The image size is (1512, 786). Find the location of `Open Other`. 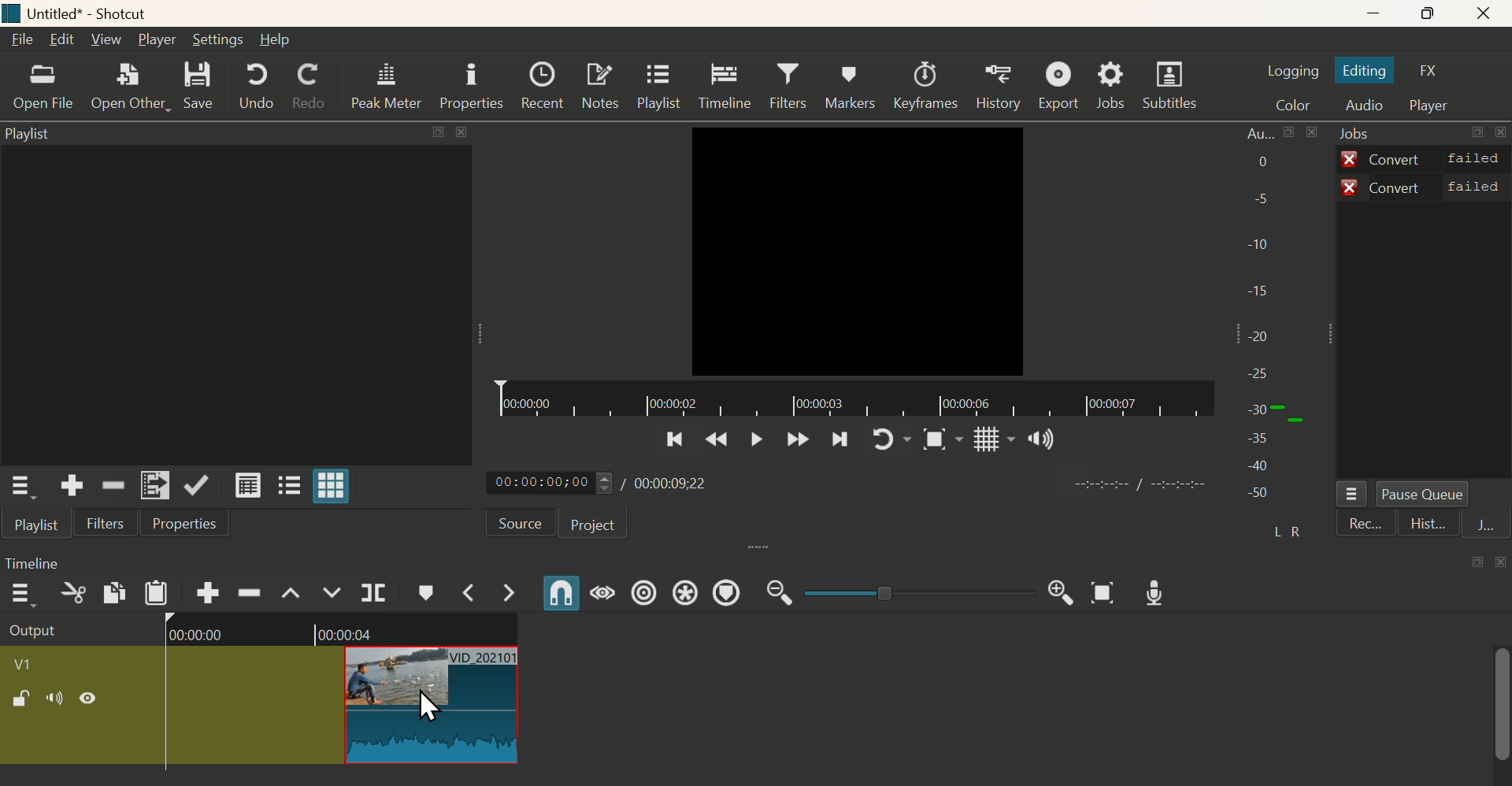

Open Other is located at coordinates (131, 89).